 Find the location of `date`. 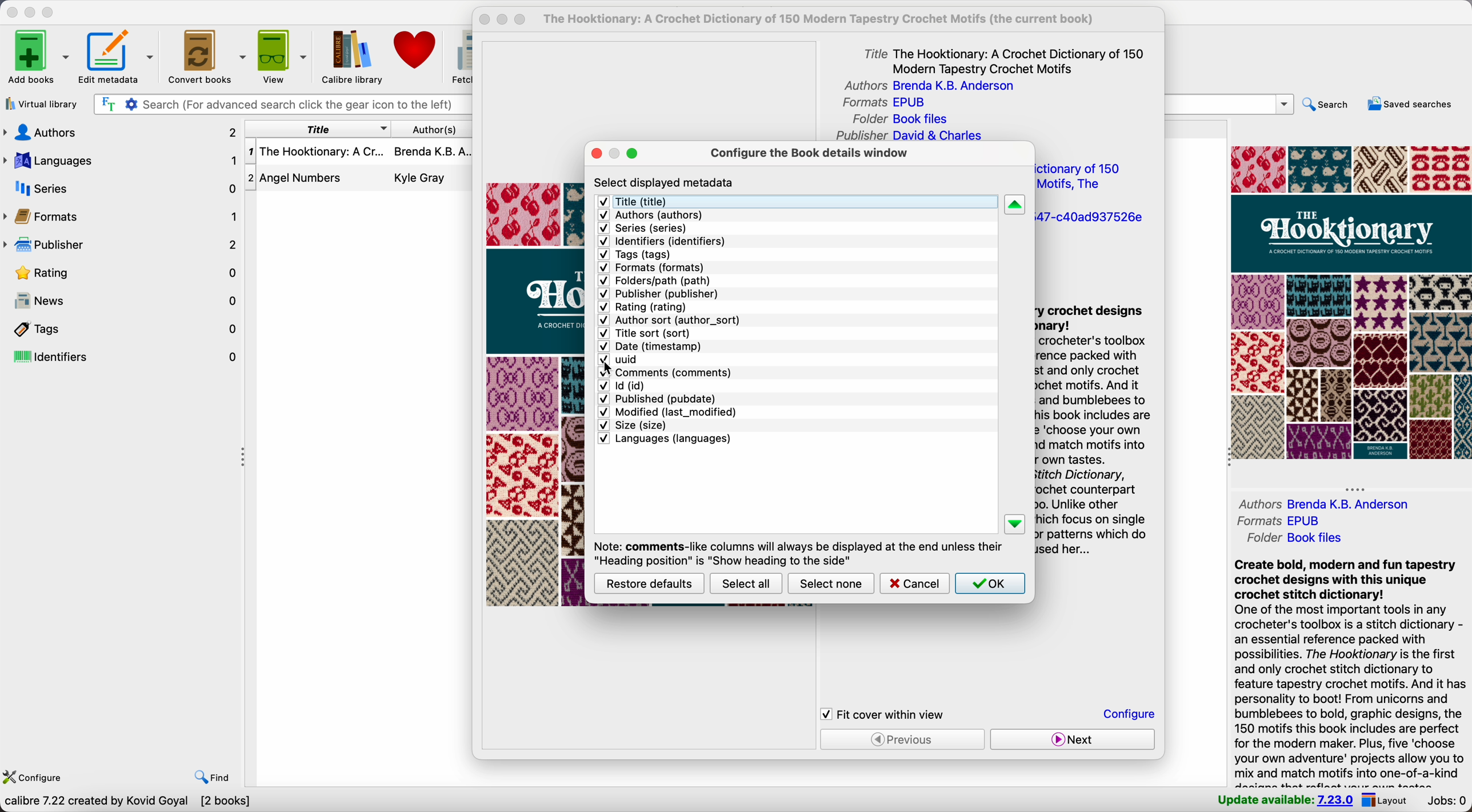

date is located at coordinates (654, 347).